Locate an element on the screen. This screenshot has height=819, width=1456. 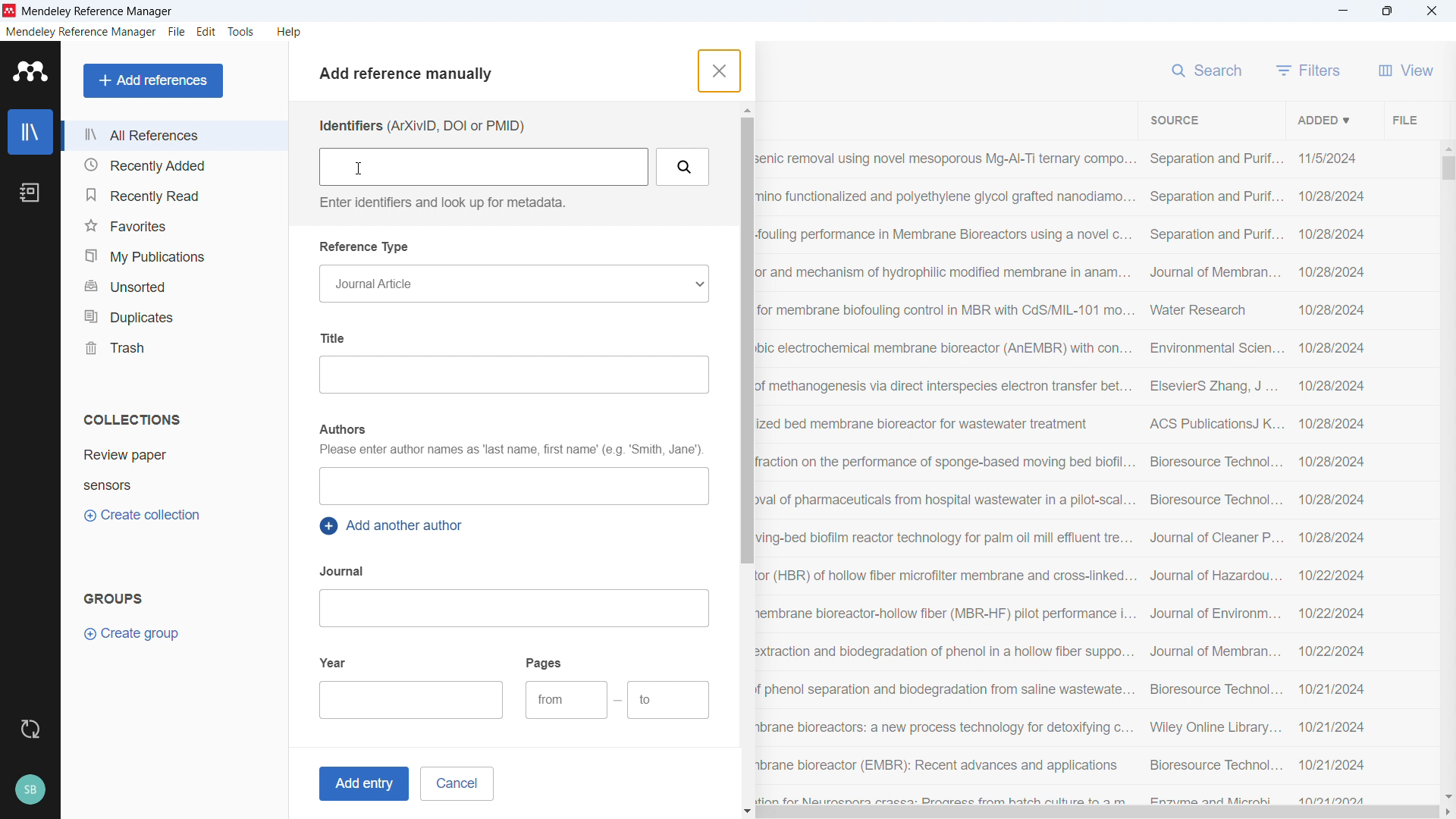
Date of addition of individual entries  is located at coordinates (1332, 477).